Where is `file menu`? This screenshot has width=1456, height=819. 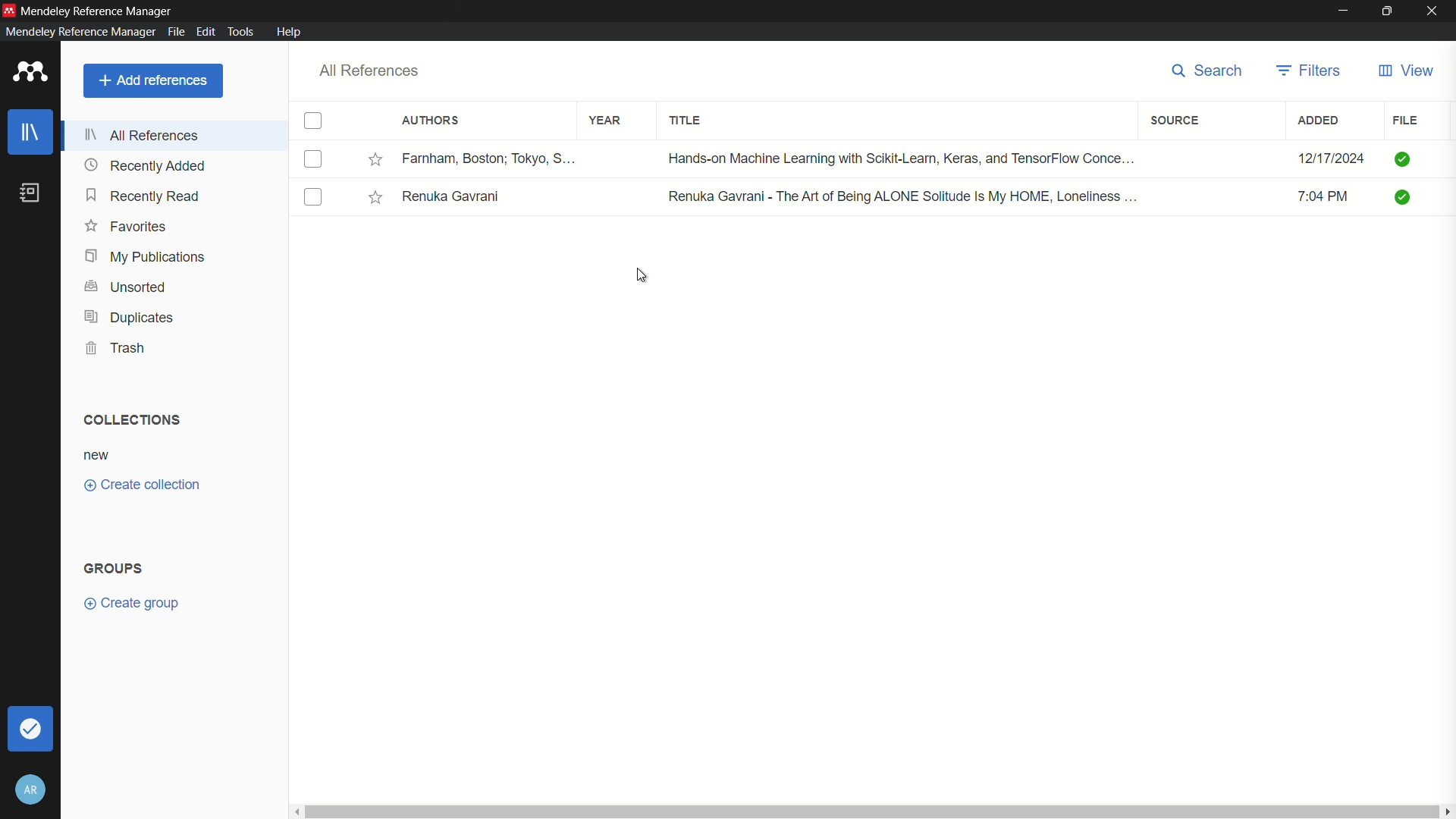
file menu is located at coordinates (174, 30).